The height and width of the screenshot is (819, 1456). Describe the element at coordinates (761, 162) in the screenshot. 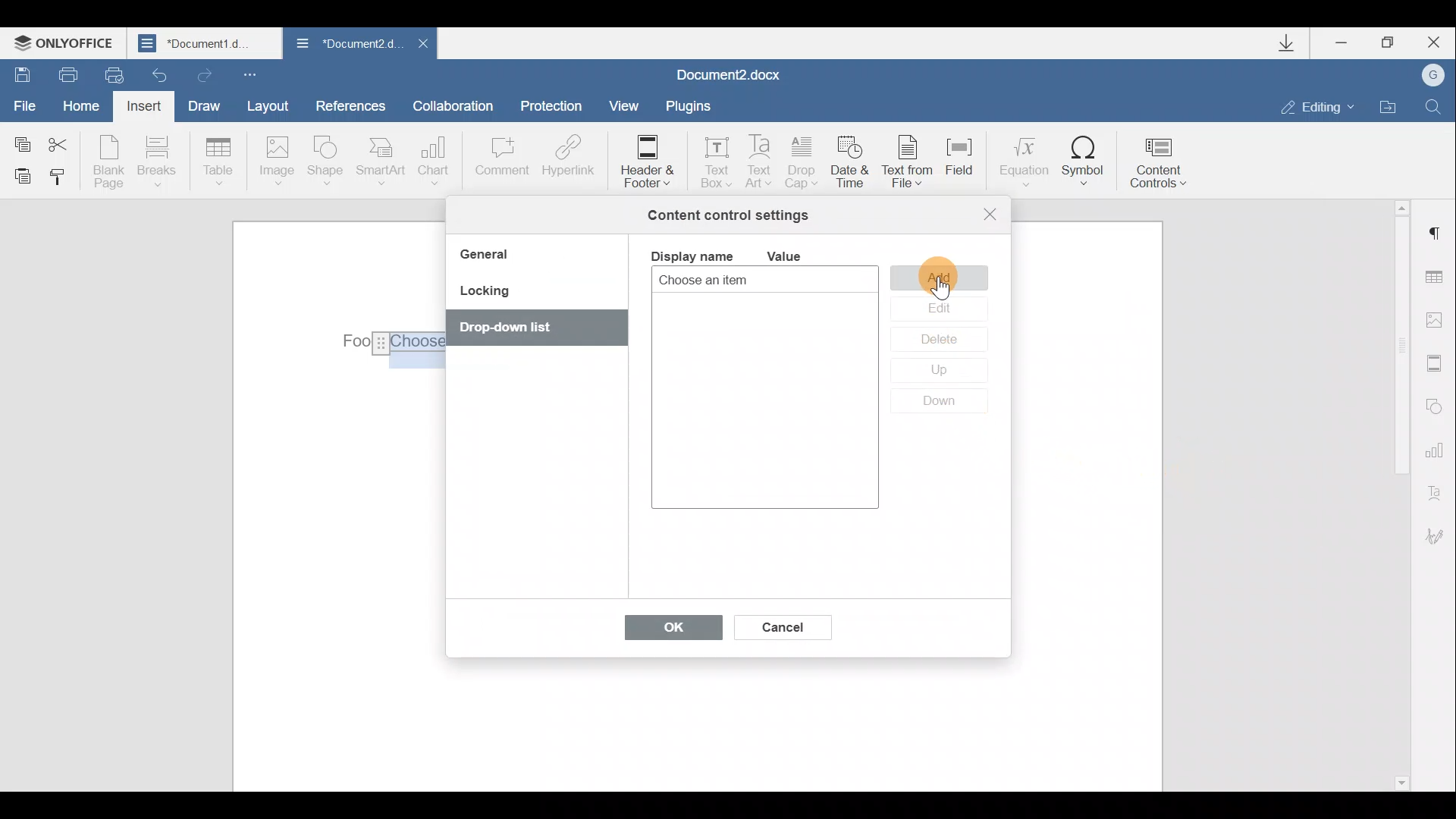

I see `Text Art` at that location.